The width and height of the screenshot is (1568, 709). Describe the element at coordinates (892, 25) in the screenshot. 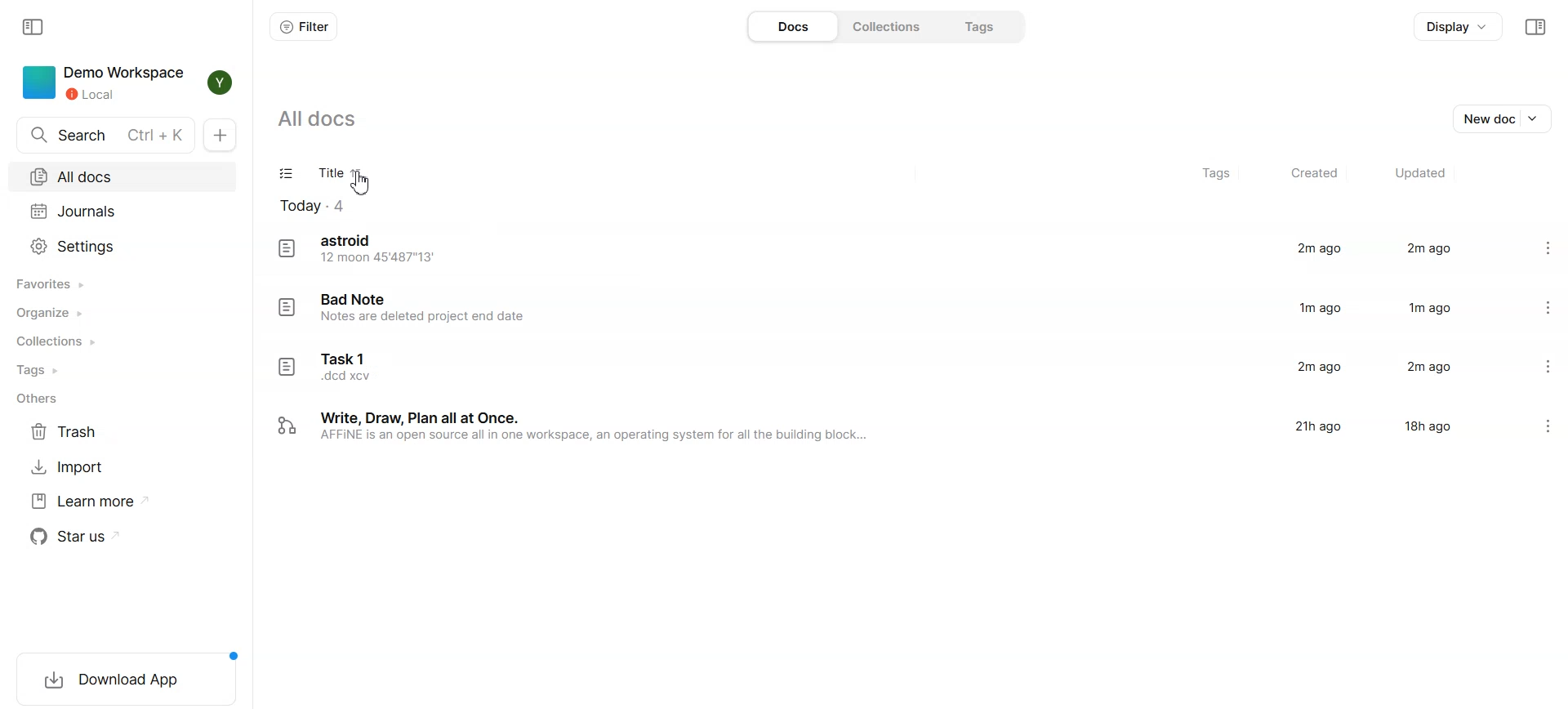

I see `Collections` at that location.